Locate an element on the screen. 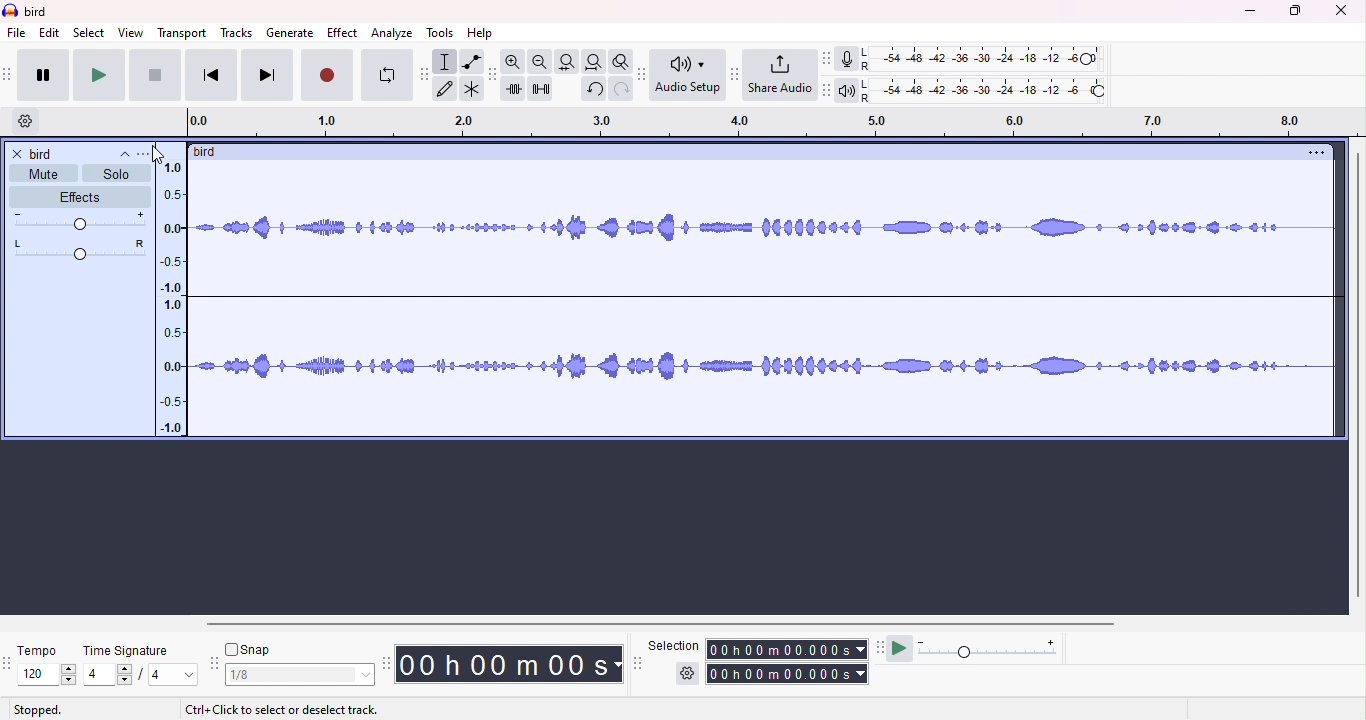 This screenshot has height=720, width=1366. waveform is located at coordinates (762, 305).